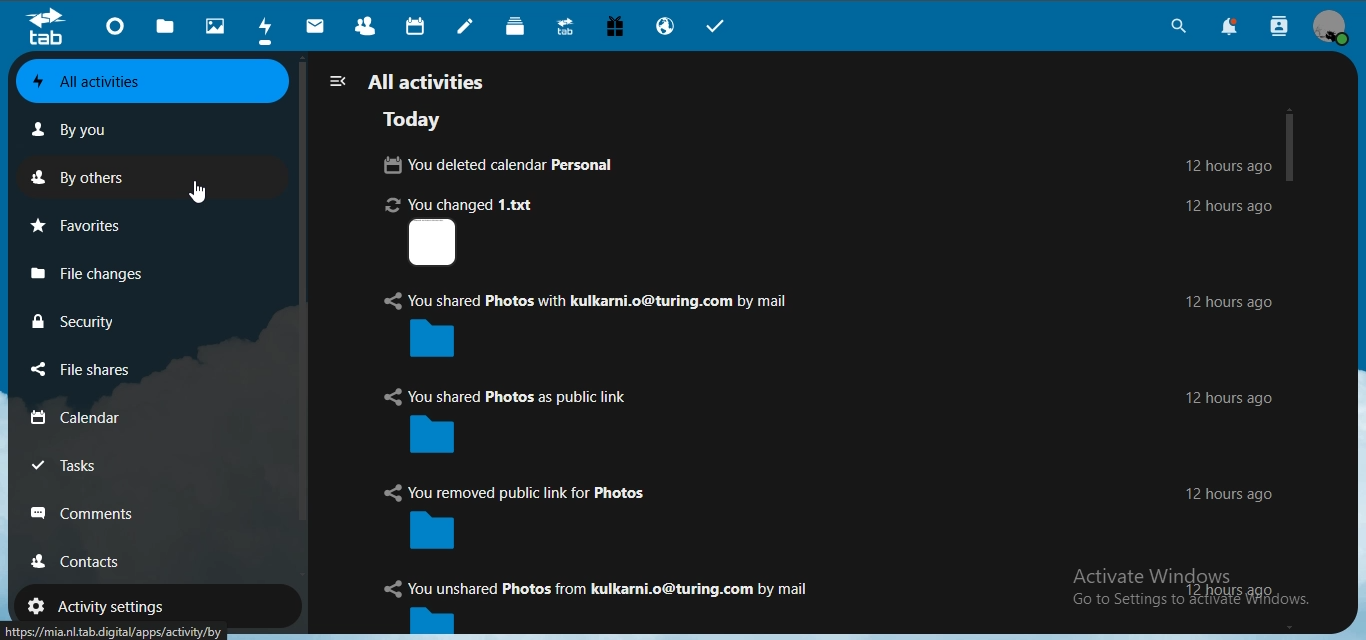 This screenshot has height=640, width=1366. Describe the element at coordinates (668, 26) in the screenshot. I see `email hosting` at that location.